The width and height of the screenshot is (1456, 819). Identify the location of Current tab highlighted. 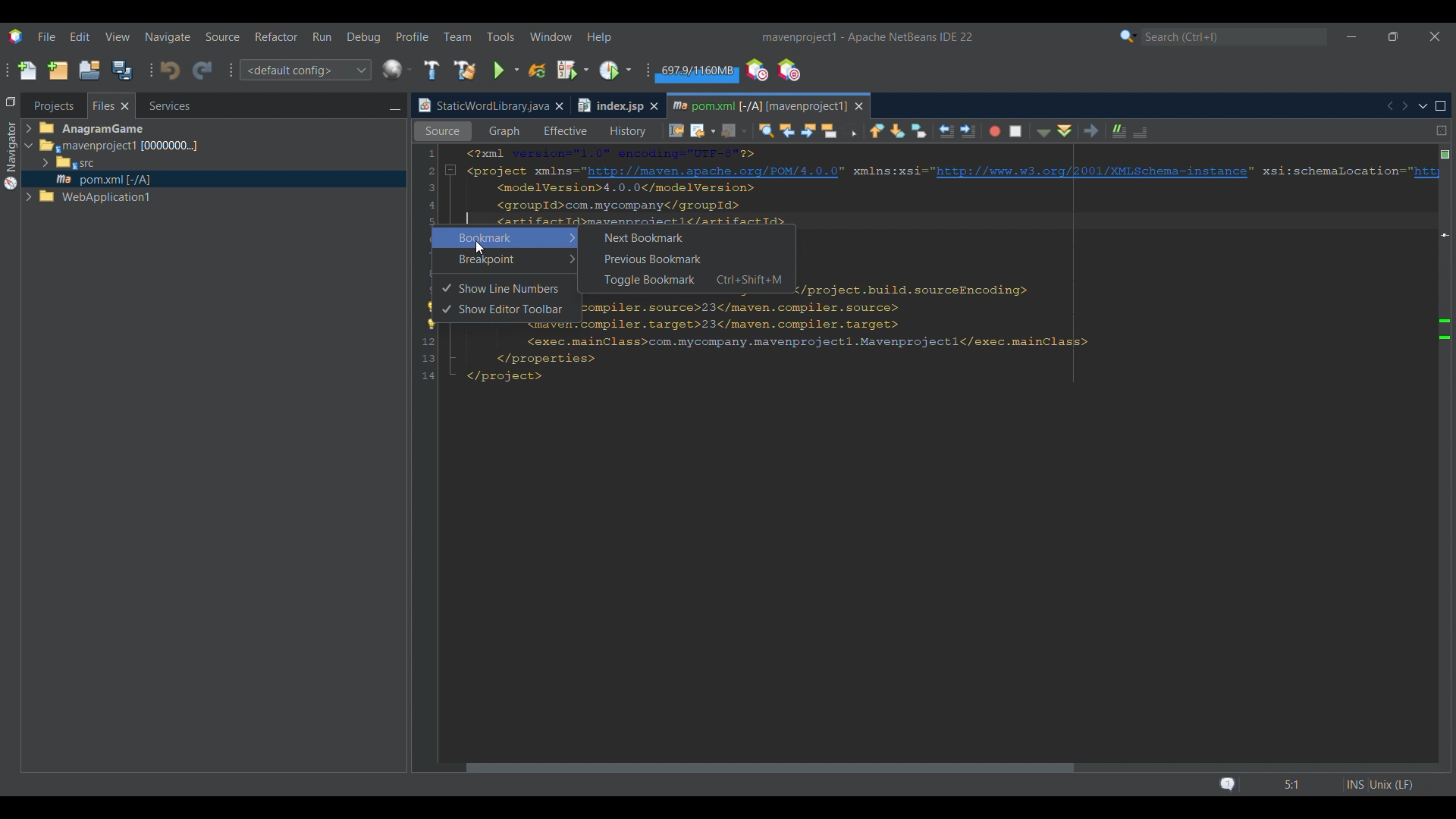
(758, 104).